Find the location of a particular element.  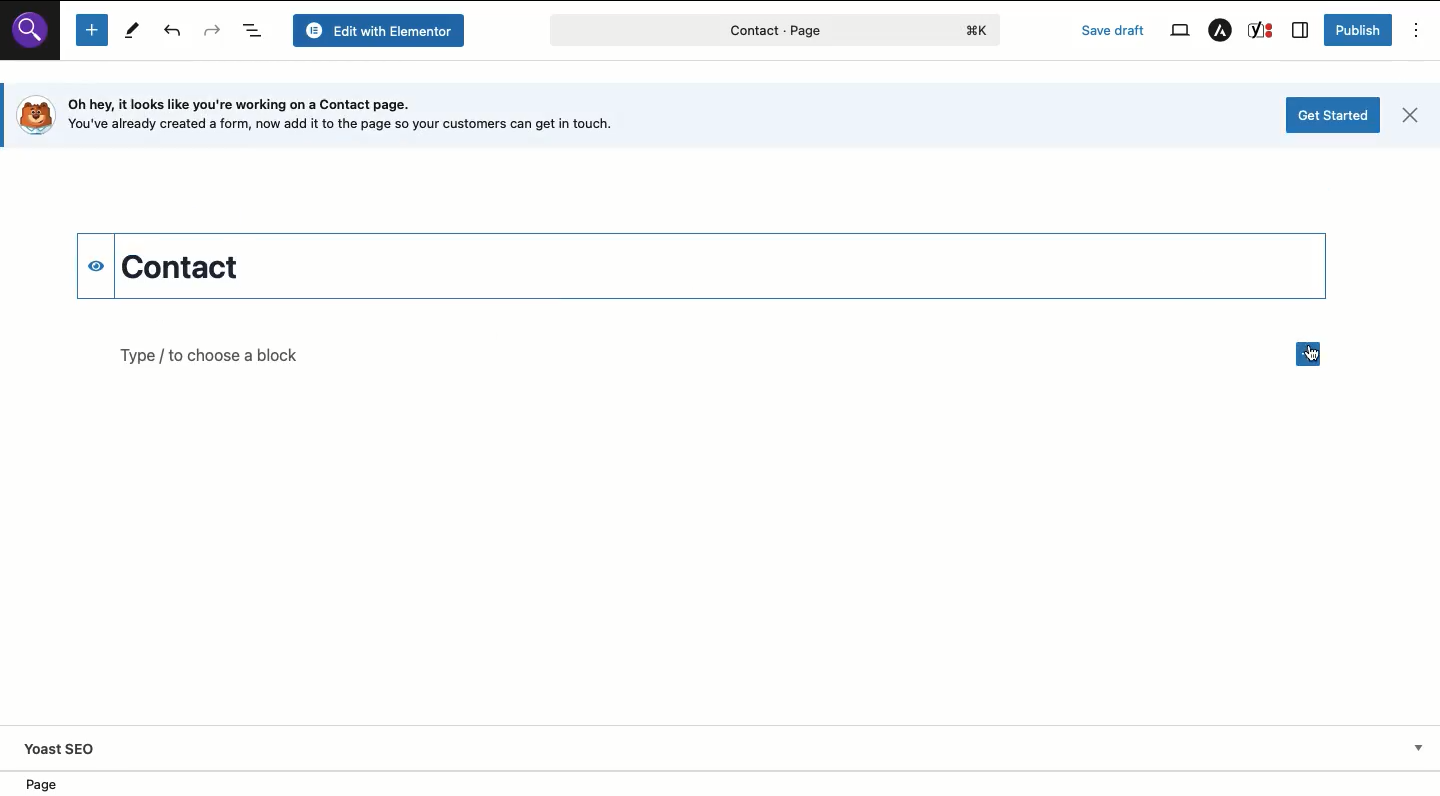

Publish is located at coordinates (1357, 30).